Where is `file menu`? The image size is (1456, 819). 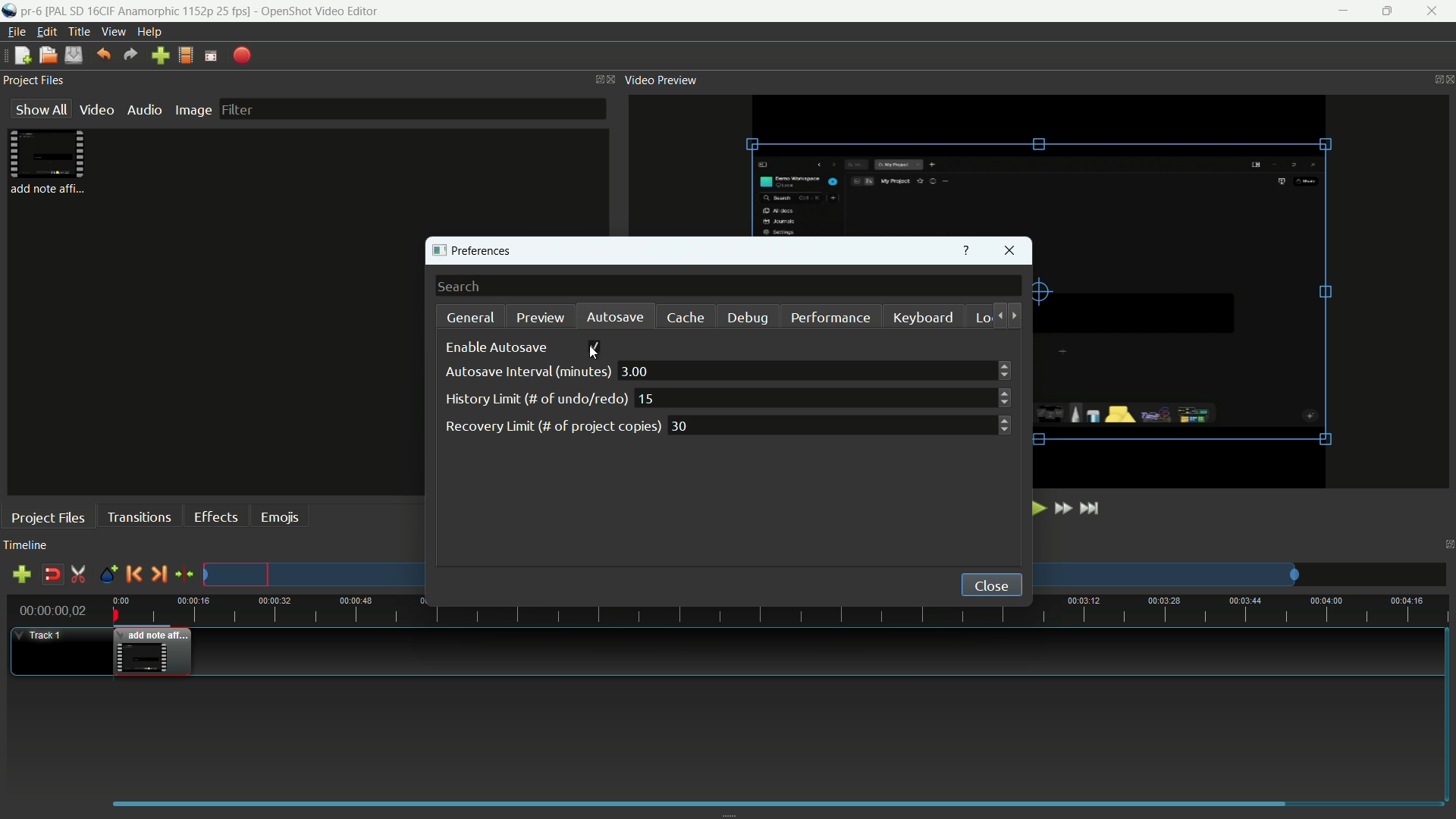 file menu is located at coordinates (13, 33).